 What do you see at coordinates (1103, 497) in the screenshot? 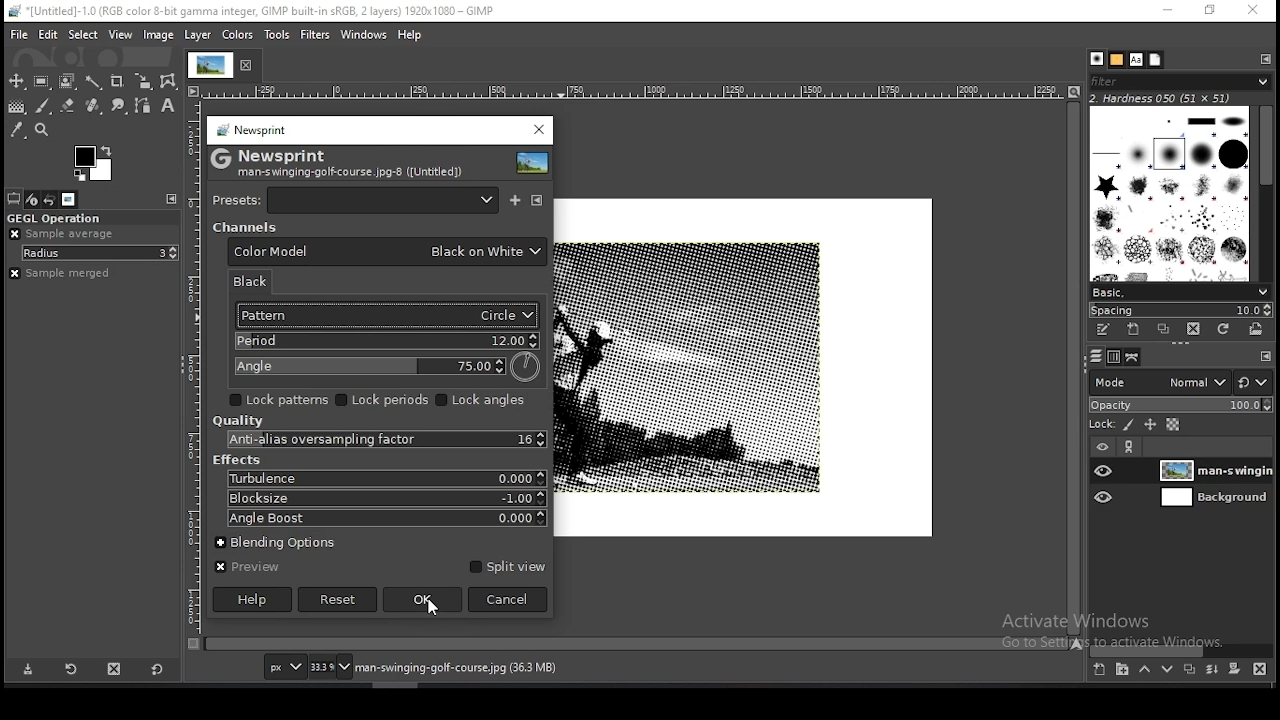
I see `layer visibility on/off` at bounding box center [1103, 497].